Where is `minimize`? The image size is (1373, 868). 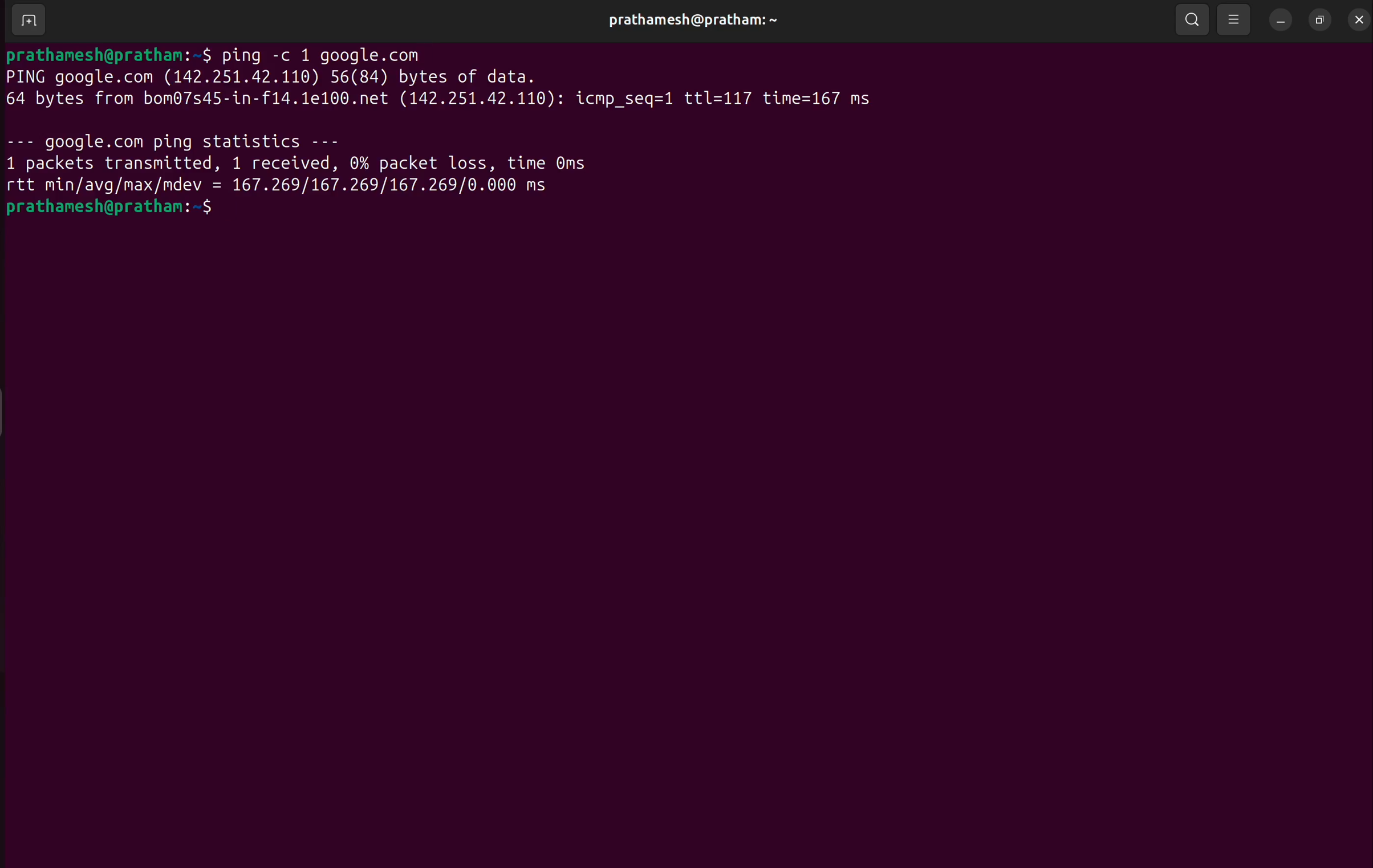
minimize is located at coordinates (1283, 18).